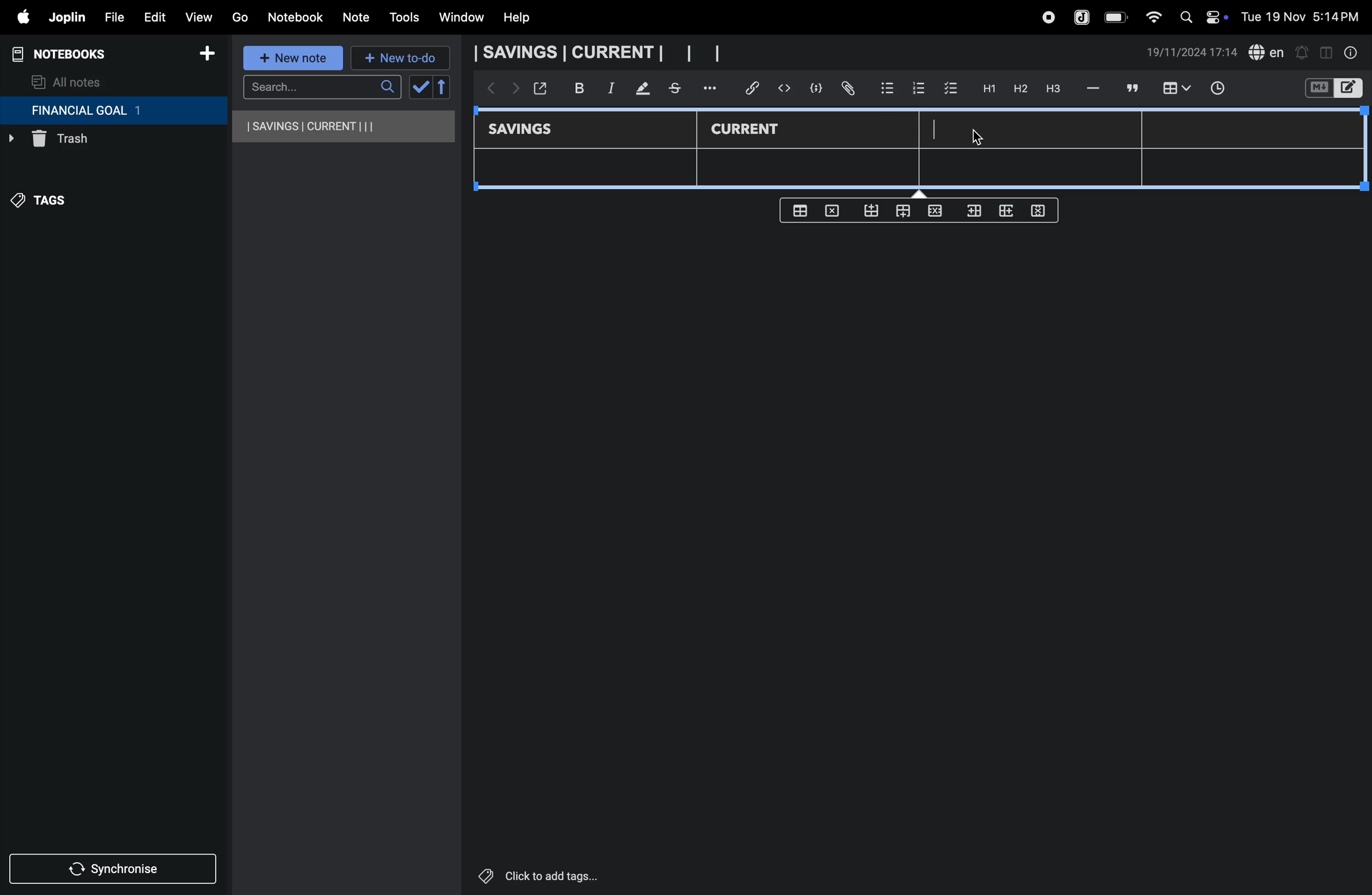 Image resolution: width=1372 pixels, height=895 pixels. I want to click on insert table, so click(1174, 89).